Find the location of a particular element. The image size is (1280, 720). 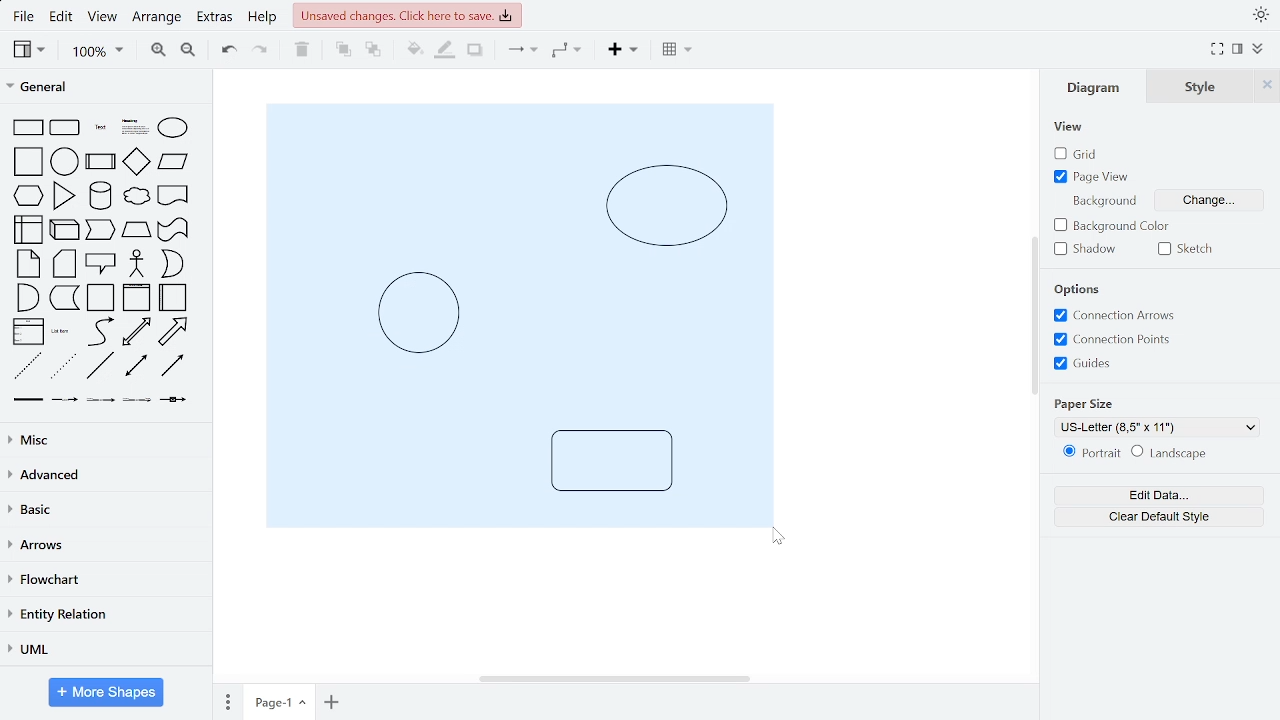

full screen is located at coordinates (1216, 50).